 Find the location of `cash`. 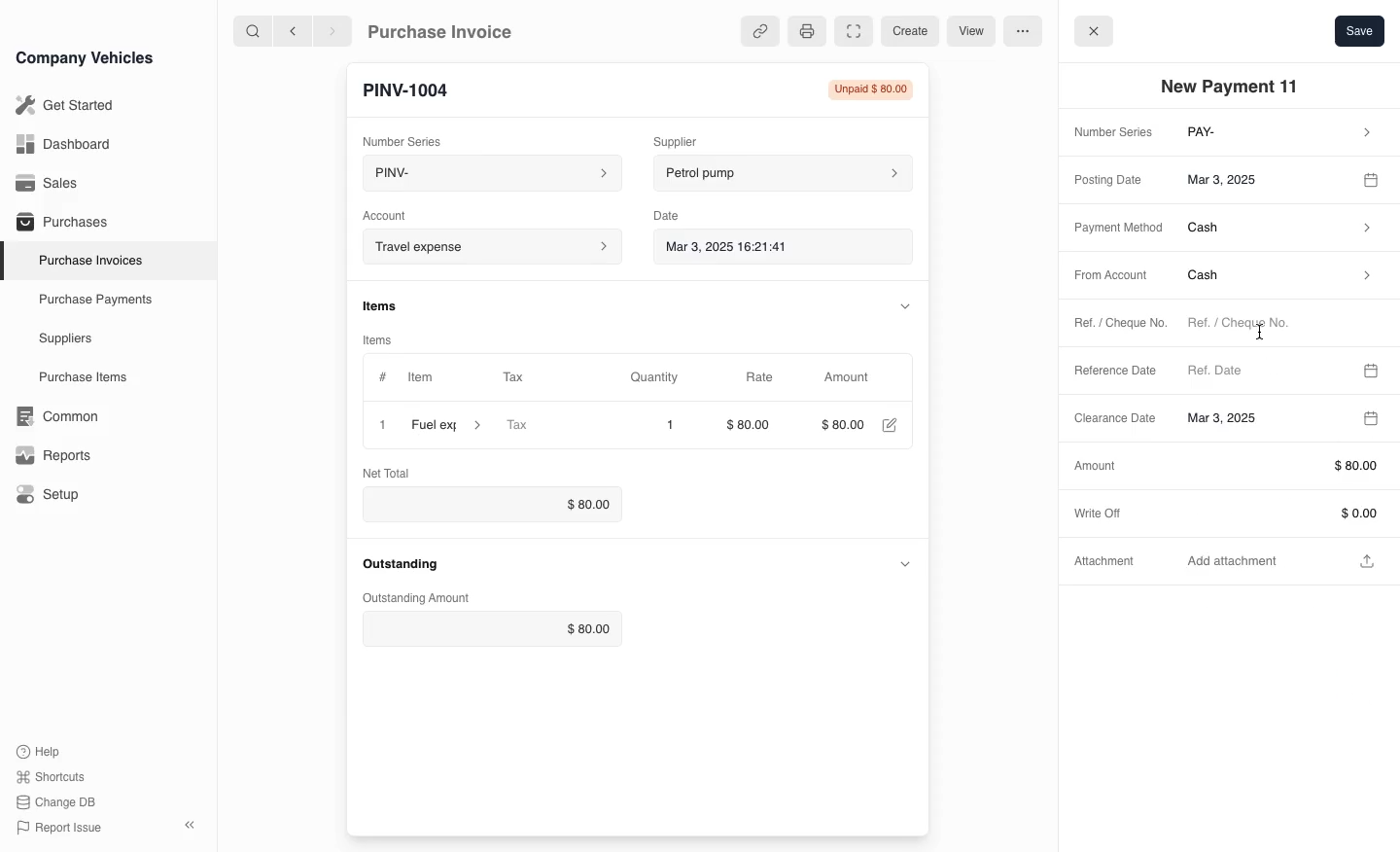

cash is located at coordinates (1280, 231).